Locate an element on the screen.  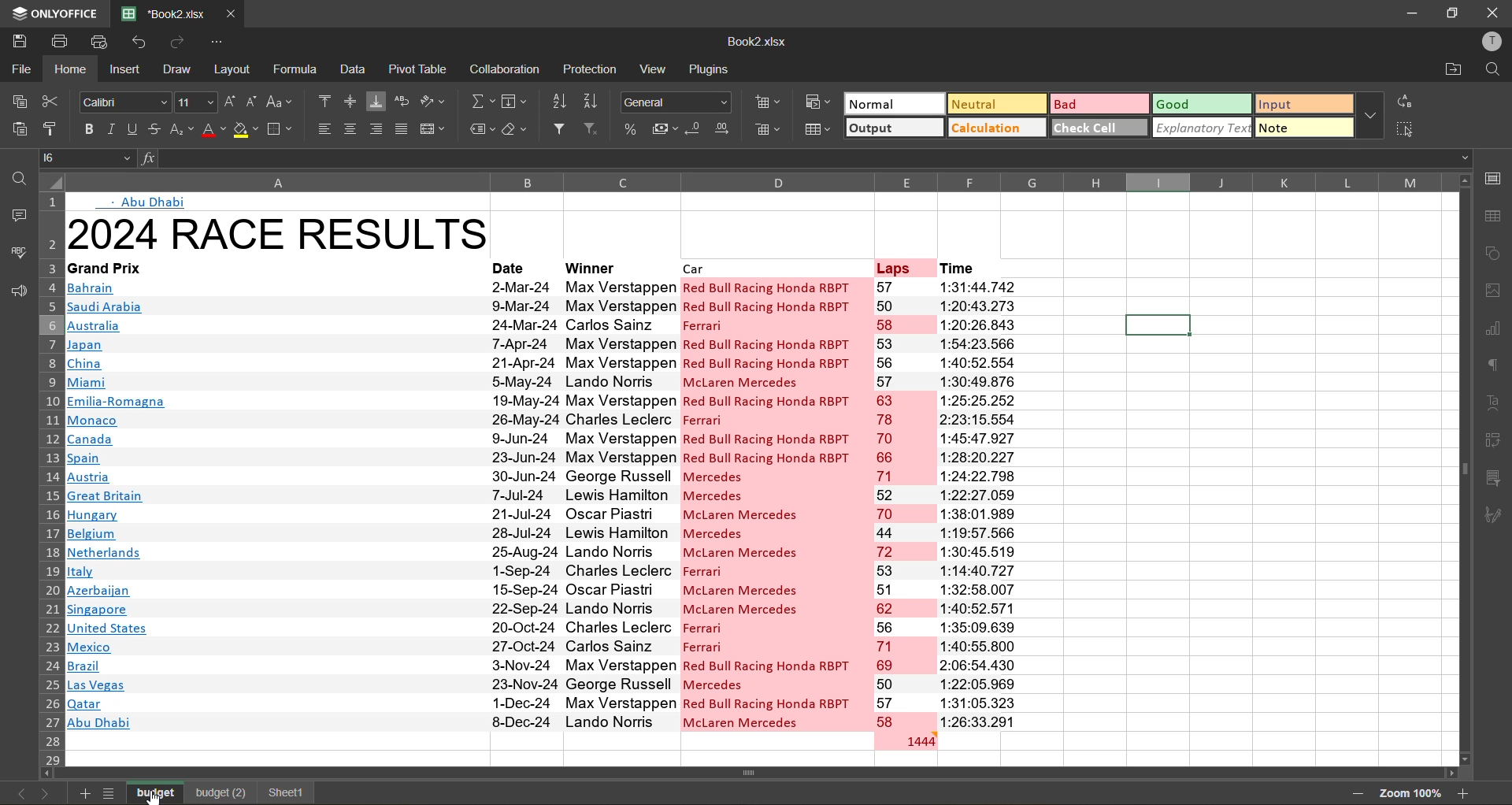
select all is located at coordinates (1406, 129).